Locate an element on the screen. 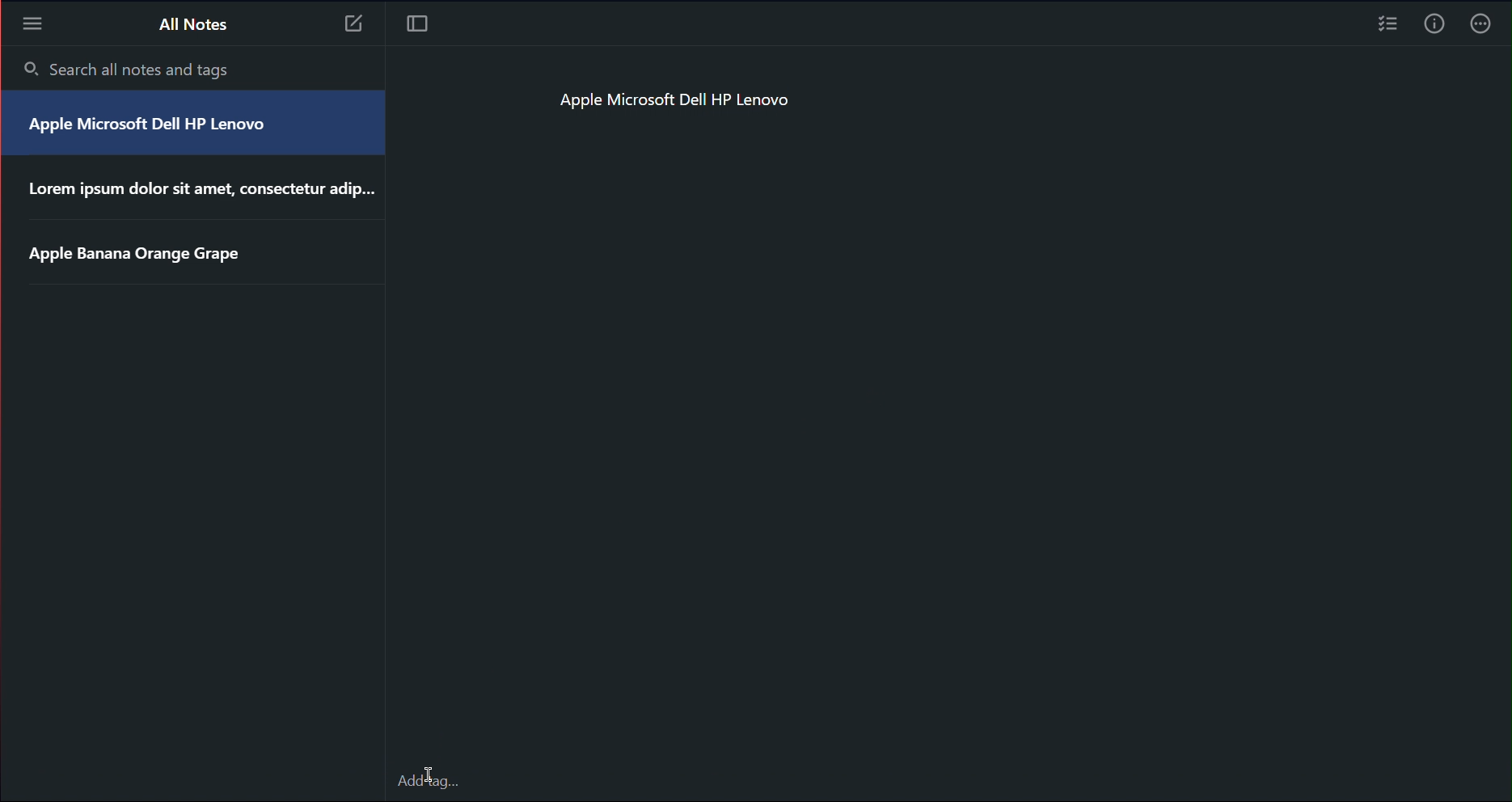 The height and width of the screenshot is (802, 1512). Info is located at coordinates (1433, 27).